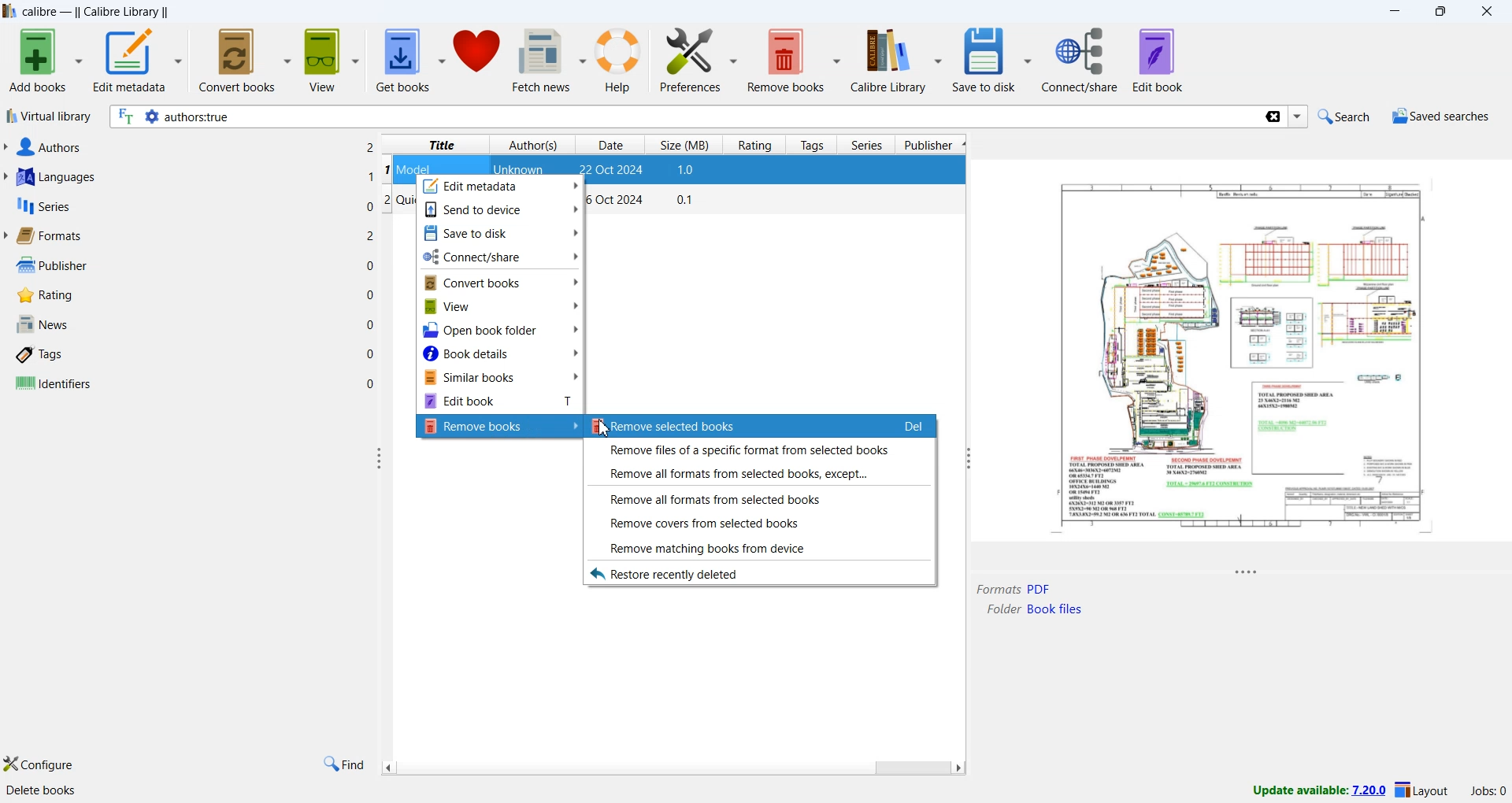  Describe the element at coordinates (1484, 794) in the screenshot. I see `jobs` at that location.